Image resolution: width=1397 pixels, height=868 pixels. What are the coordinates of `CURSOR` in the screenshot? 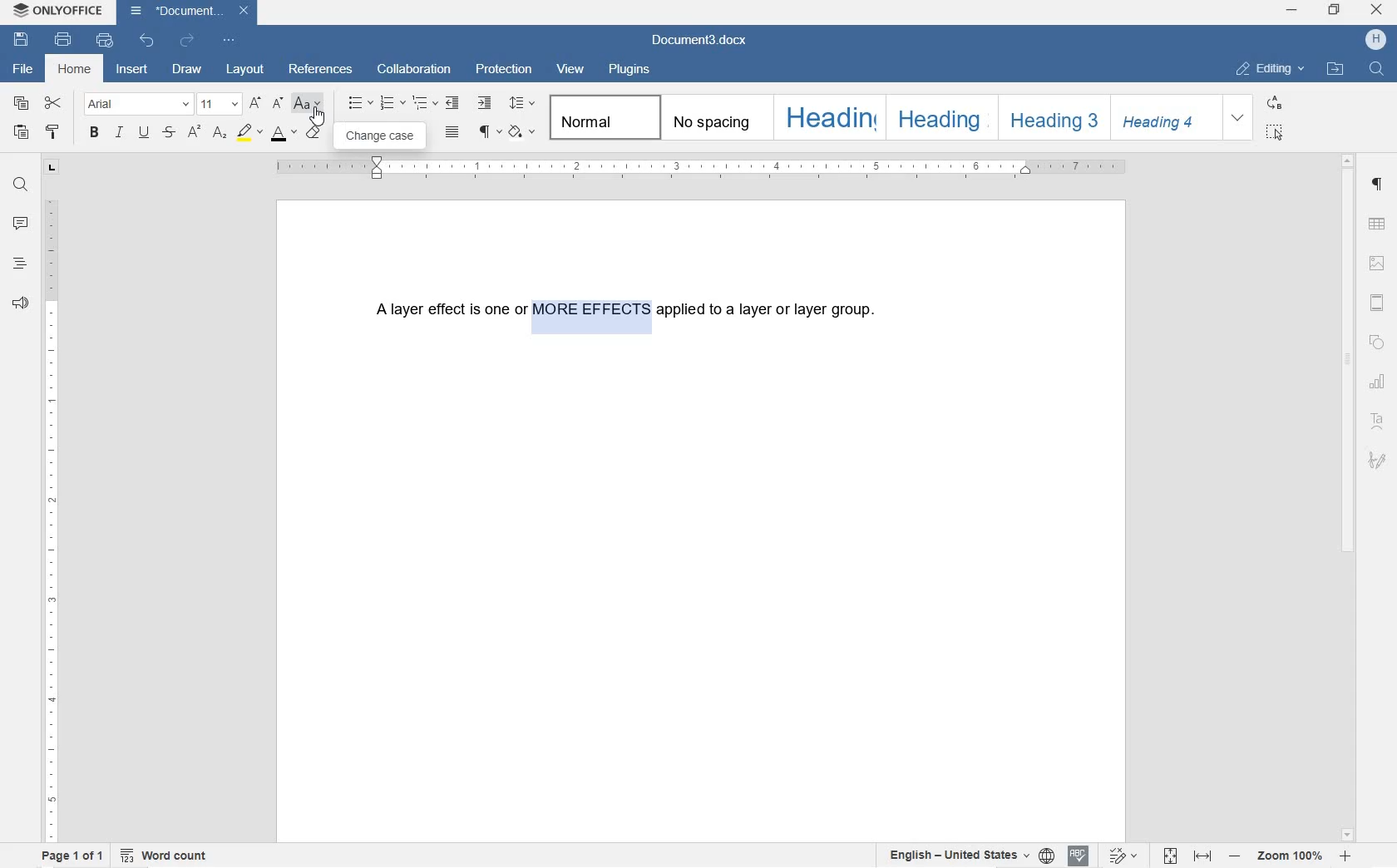 It's located at (316, 119).